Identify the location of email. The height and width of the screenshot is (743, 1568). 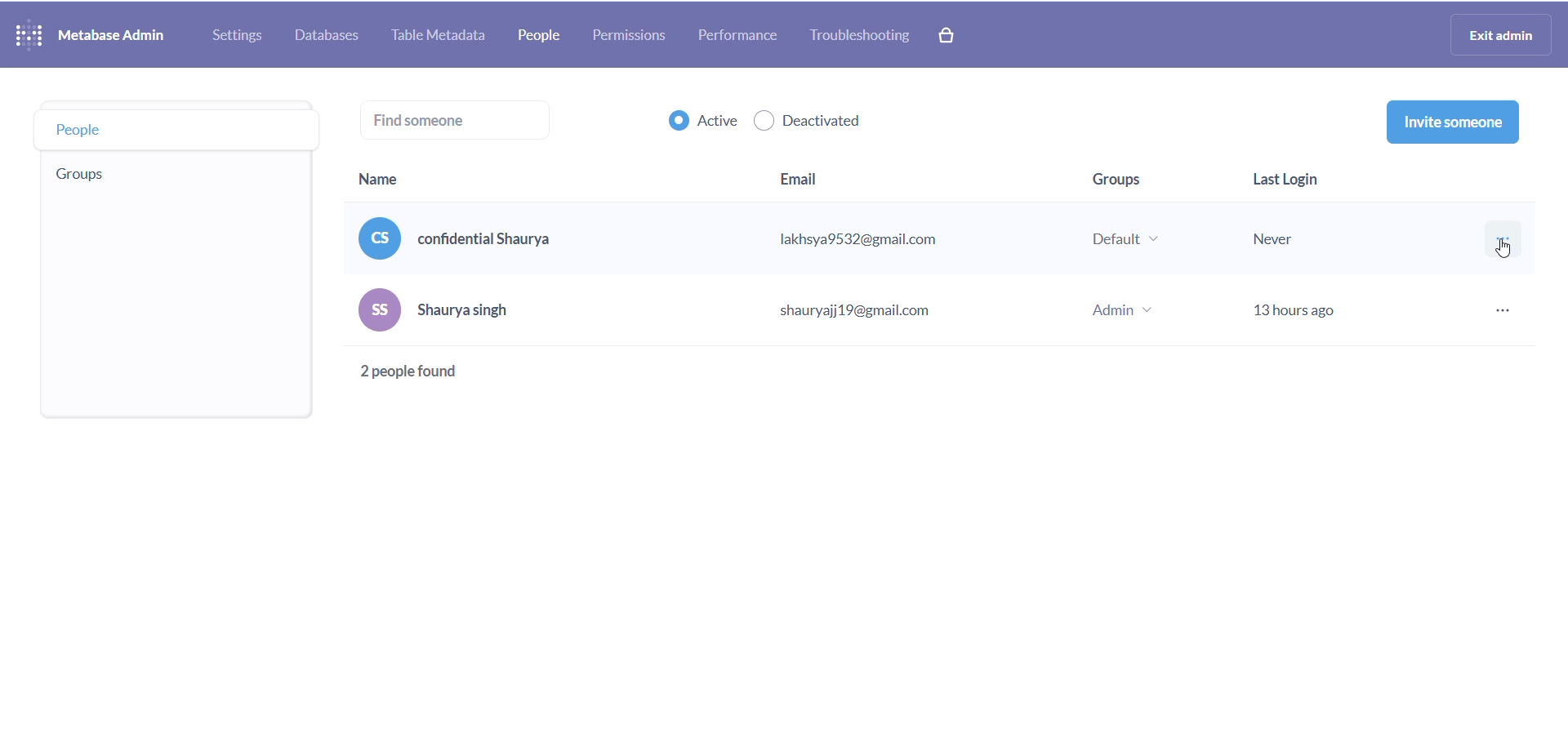
(863, 242).